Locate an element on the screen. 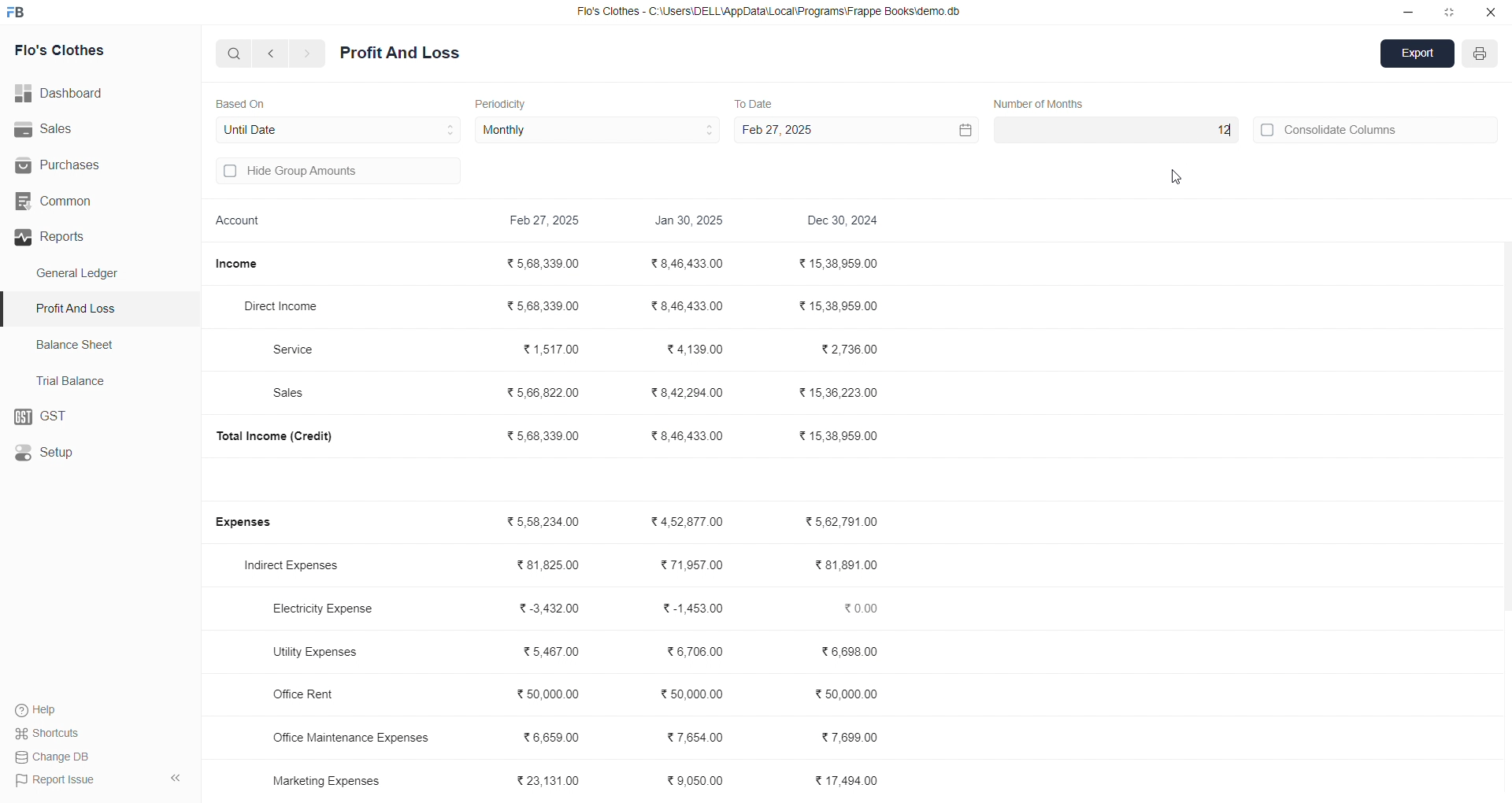 This screenshot has width=1512, height=803. ₹8,46,433.00 is located at coordinates (691, 263).